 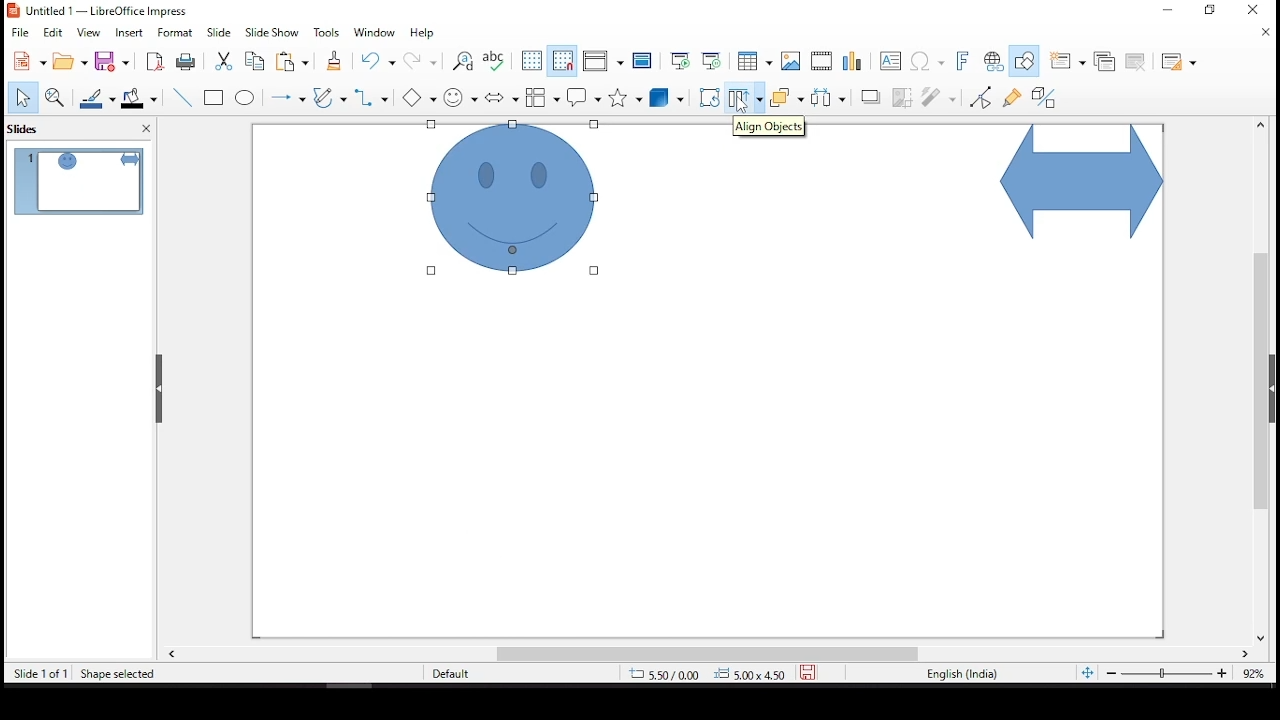 What do you see at coordinates (185, 62) in the screenshot?
I see `print` at bounding box center [185, 62].